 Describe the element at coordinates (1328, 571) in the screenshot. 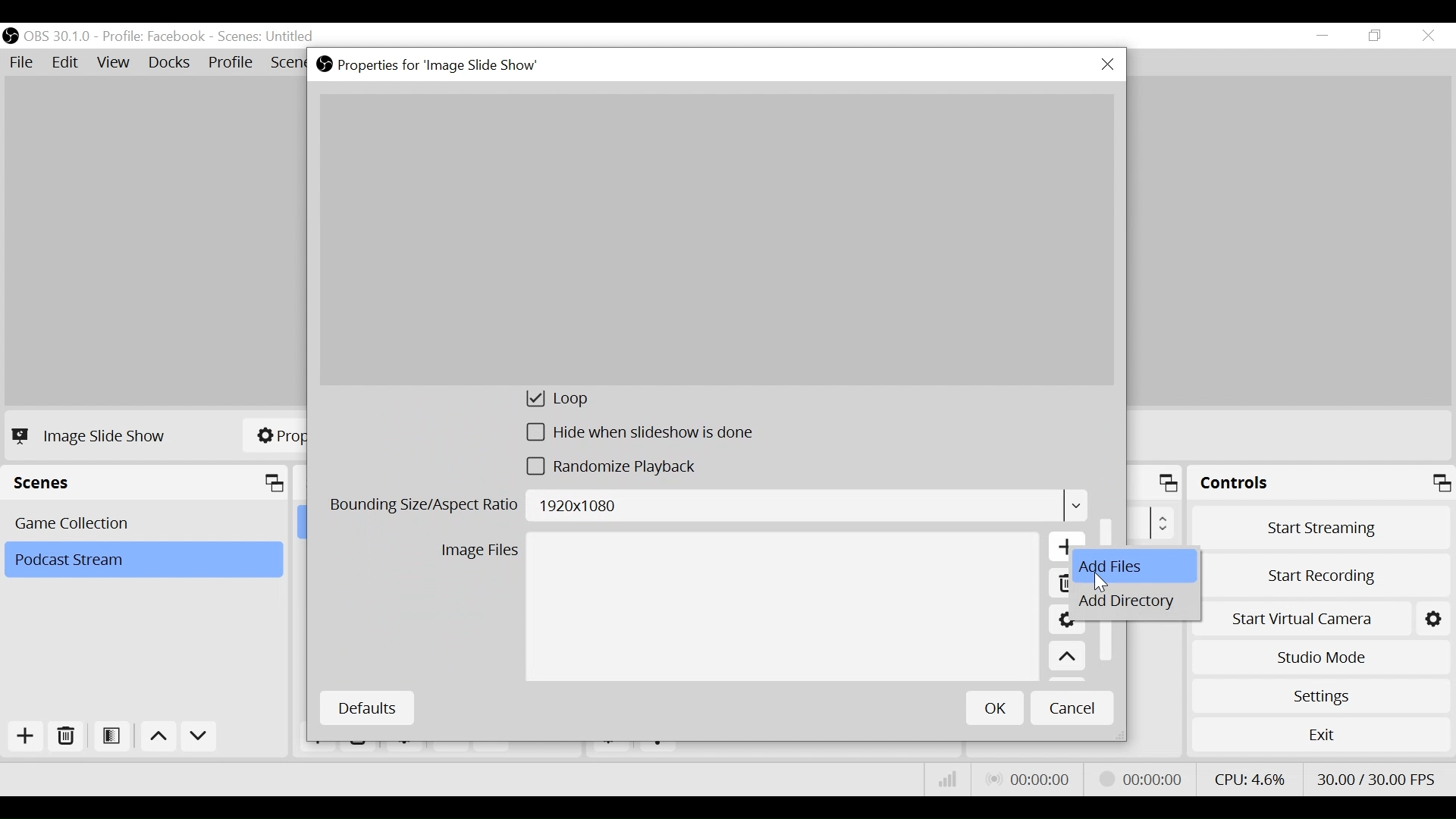

I see `Start Recording` at that location.